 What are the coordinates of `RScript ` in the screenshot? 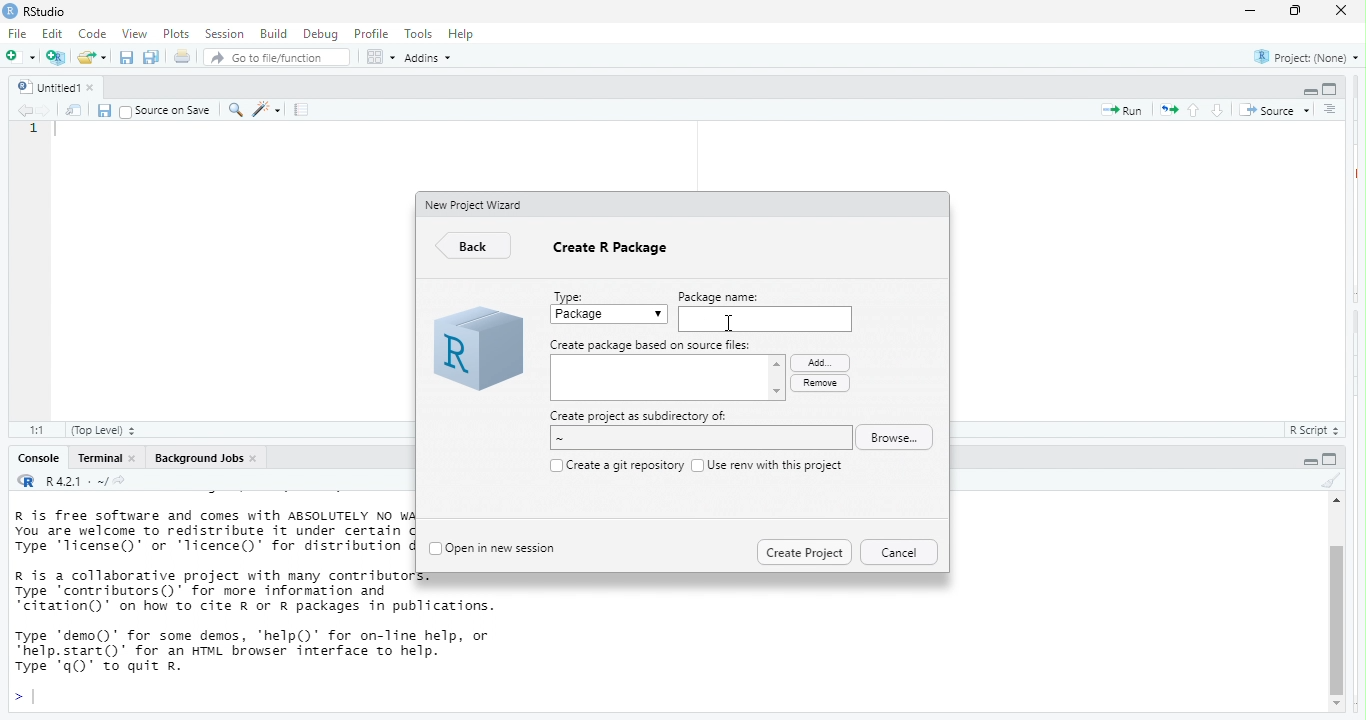 It's located at (1309, 431).